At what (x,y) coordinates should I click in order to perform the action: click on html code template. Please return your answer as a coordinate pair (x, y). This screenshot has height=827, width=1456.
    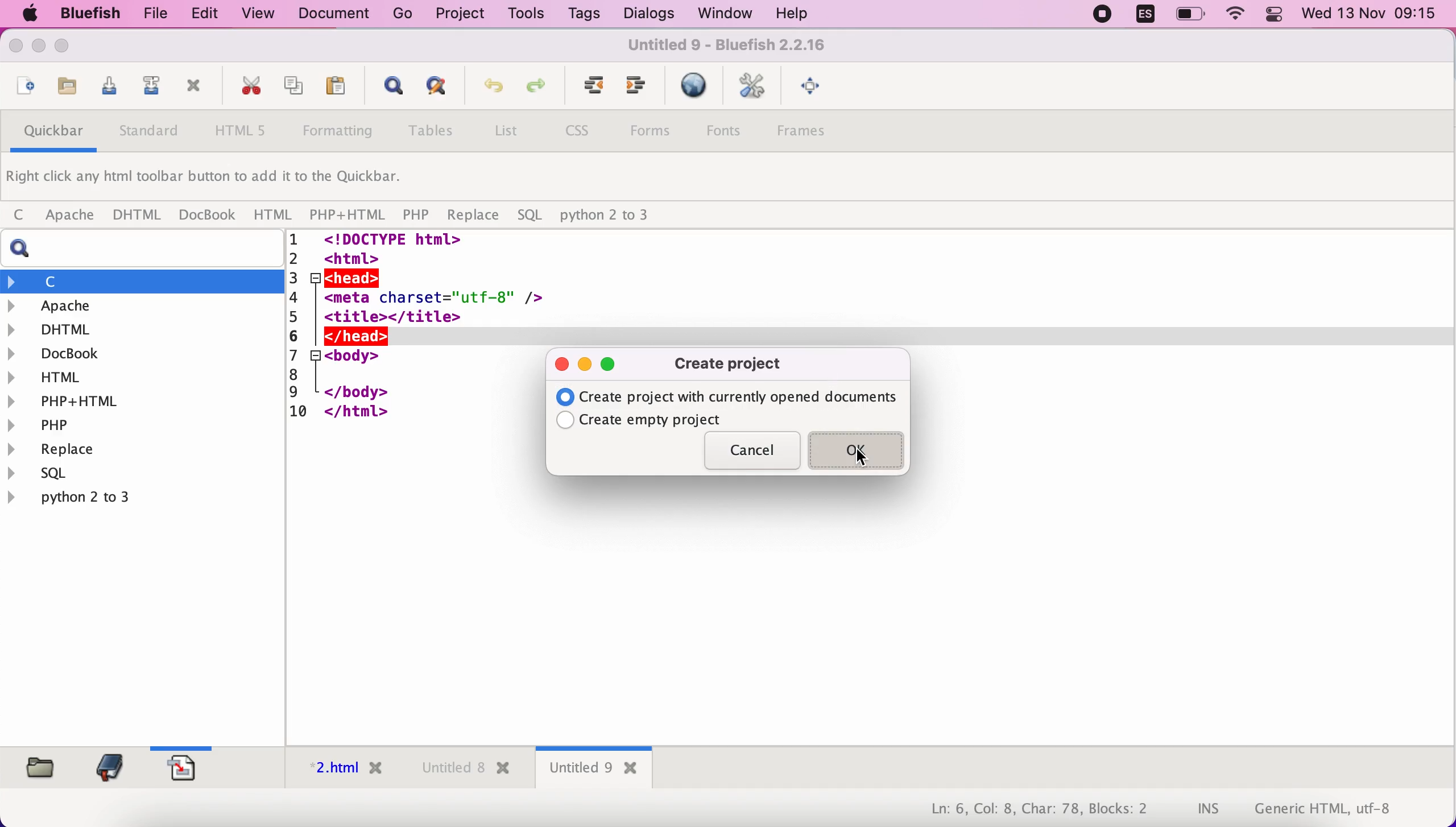
    Looking at the image, I should click on (419, 340).